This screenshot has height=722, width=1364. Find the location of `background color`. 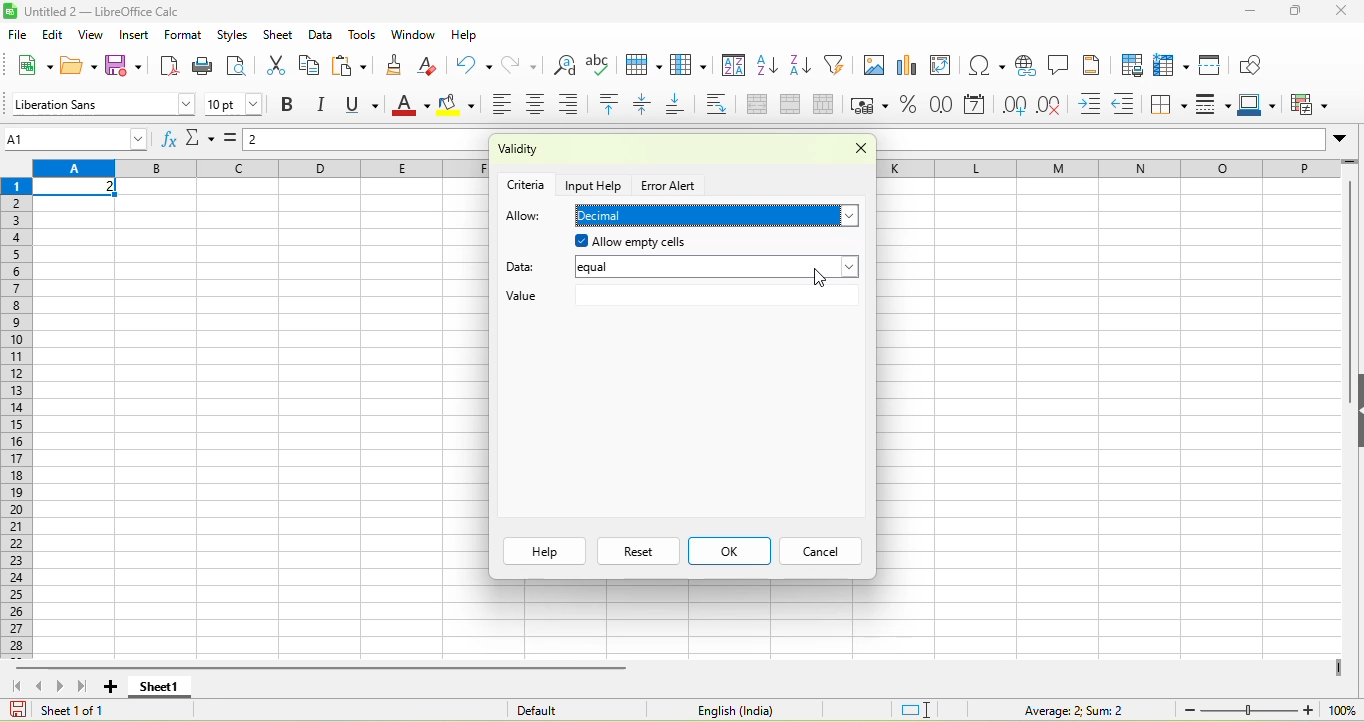

background color is located at coordinates (457, 106).